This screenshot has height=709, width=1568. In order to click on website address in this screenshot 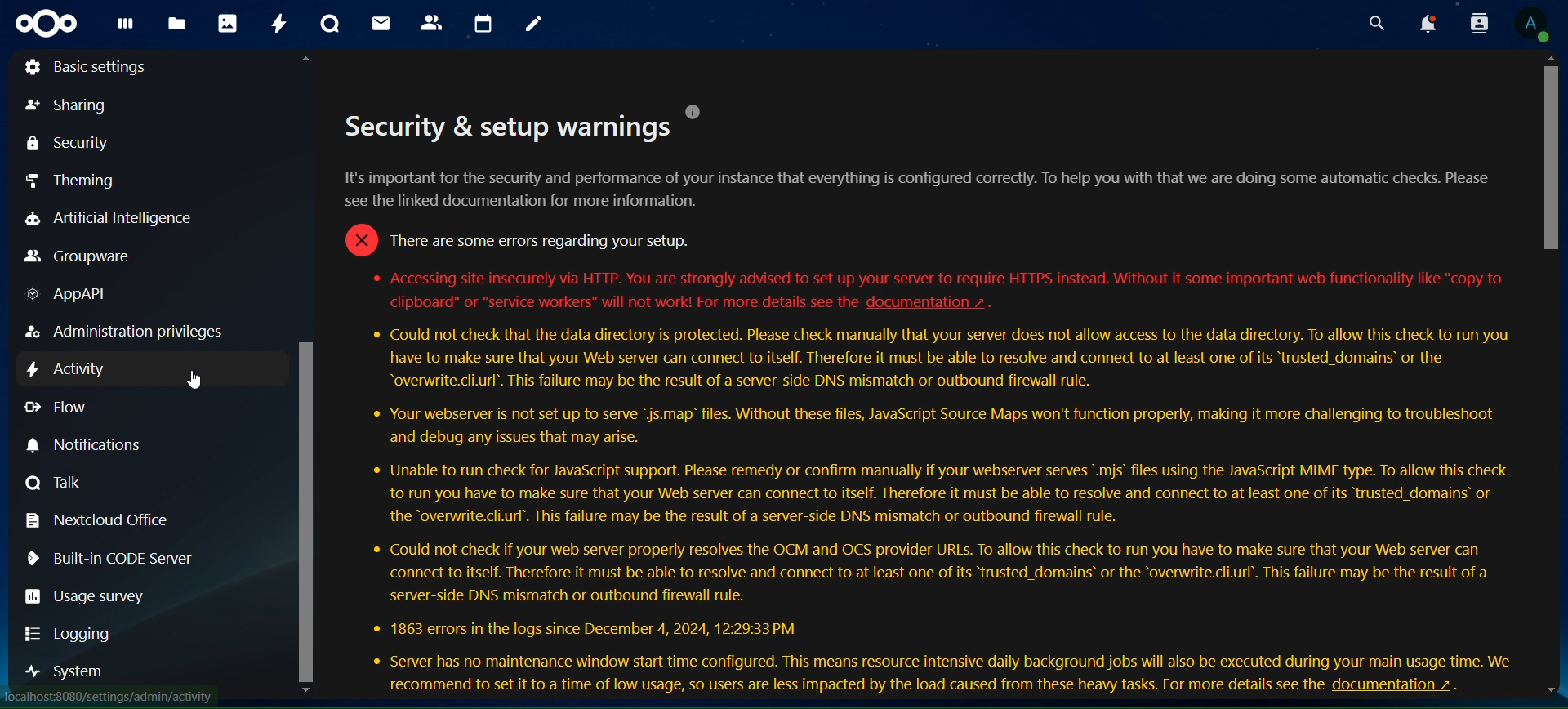, I will do `click(108, 695)`.